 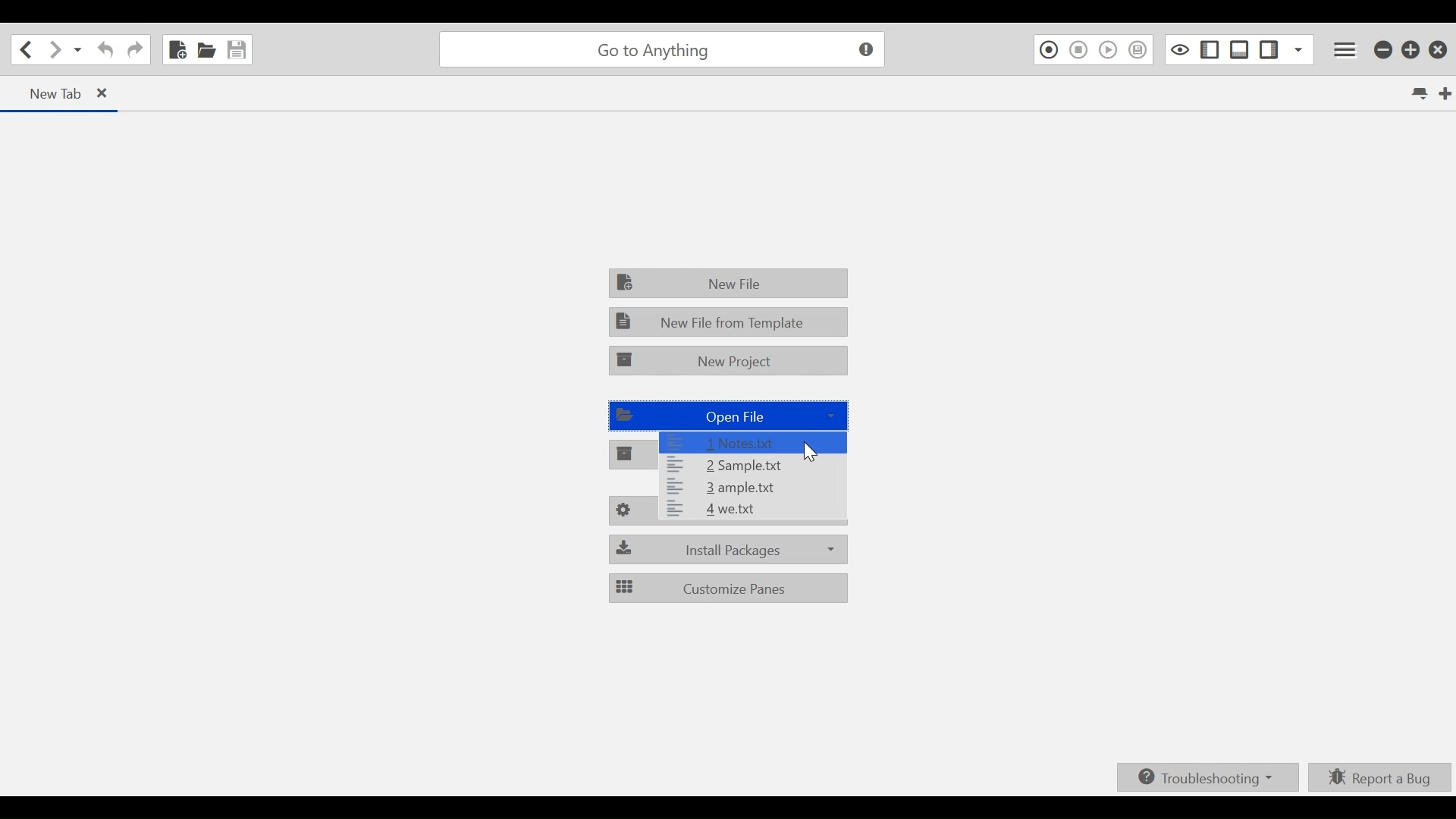 I want to click on New Project, so click(x=727, y=362).